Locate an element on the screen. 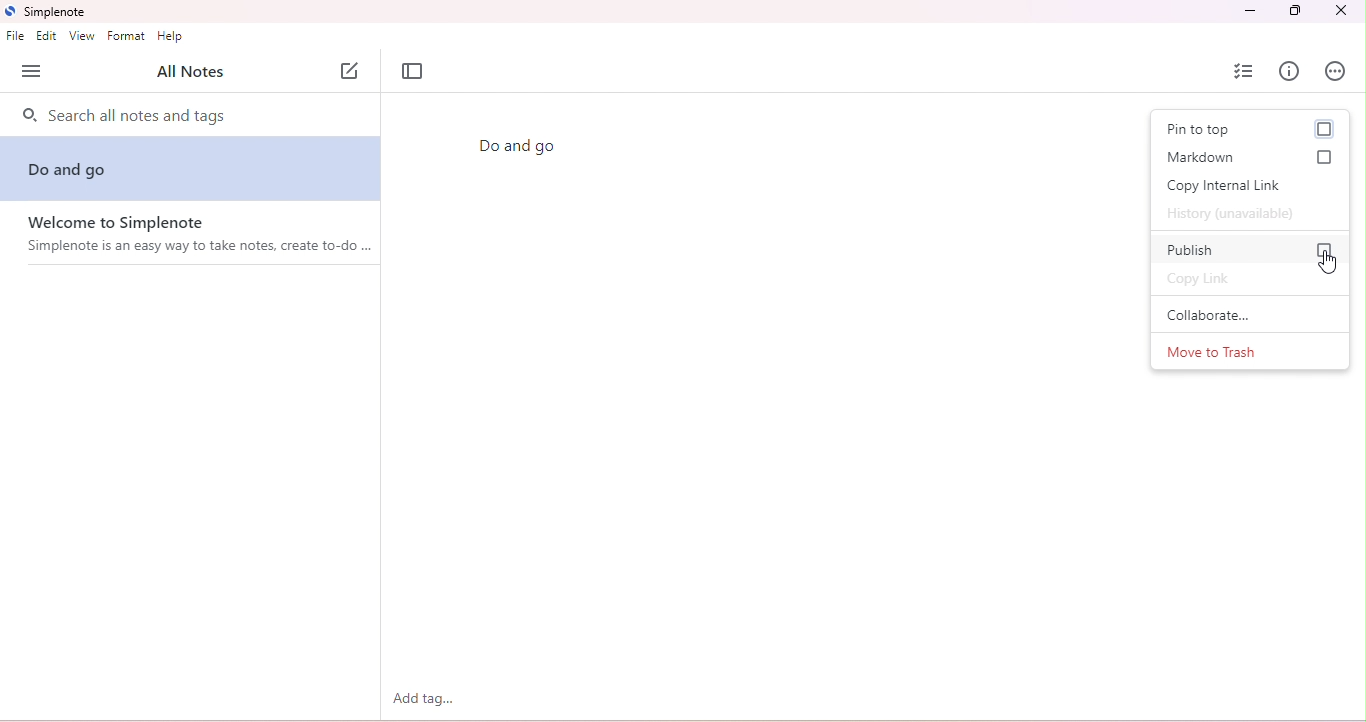 The height and width of the screenshot is (722, 1366). all notes is located at coordinates (190, 73).